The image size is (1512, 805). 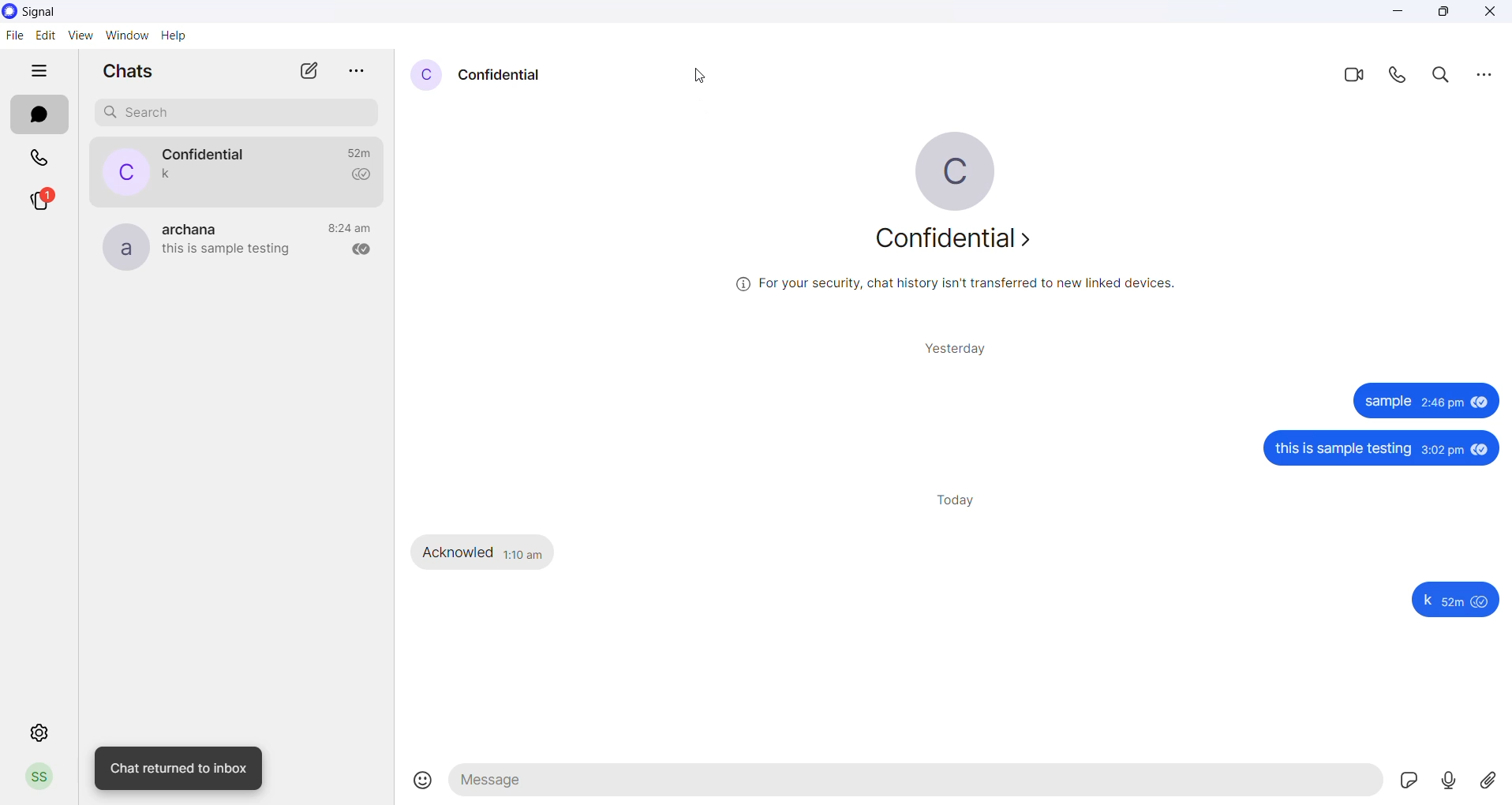 I want to click on cursor, so click(x=705, y=75).